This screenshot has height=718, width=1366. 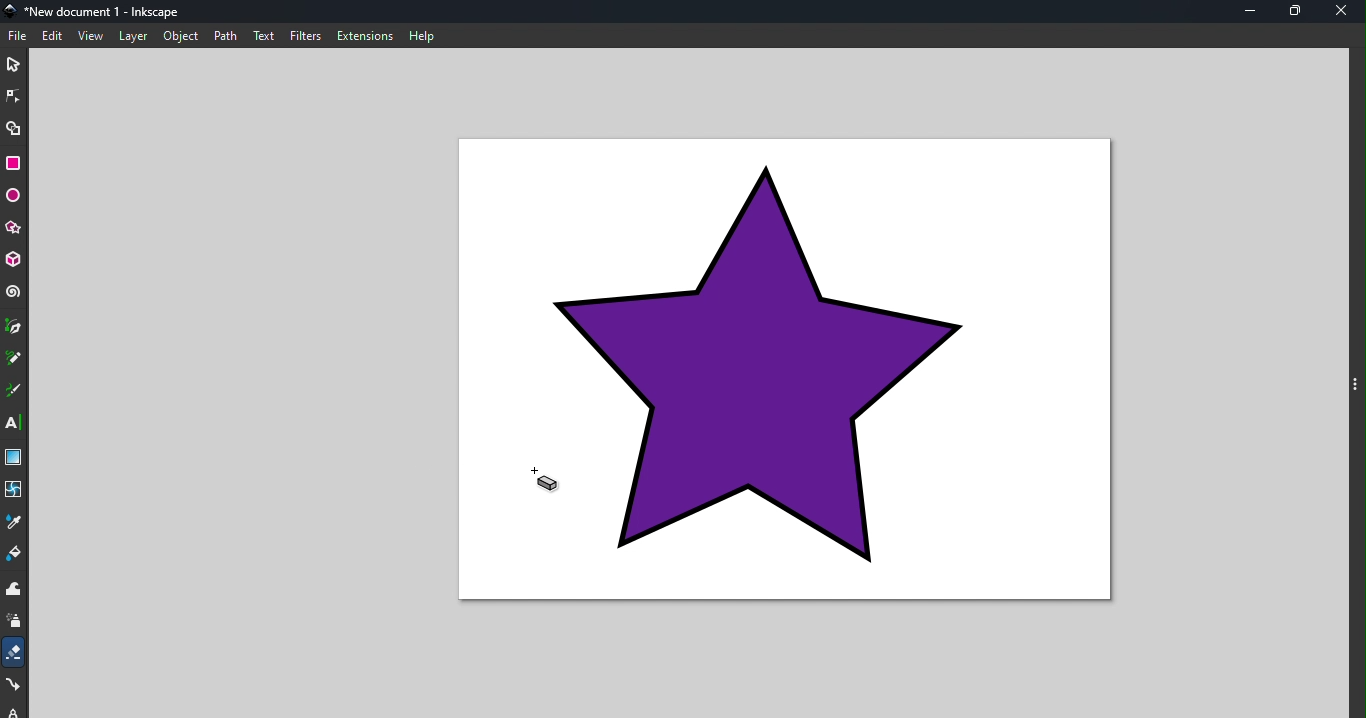 What do you see at coordinates (98, 10) in the screenshot?
I see `file name` at bounding box center [98, 10].